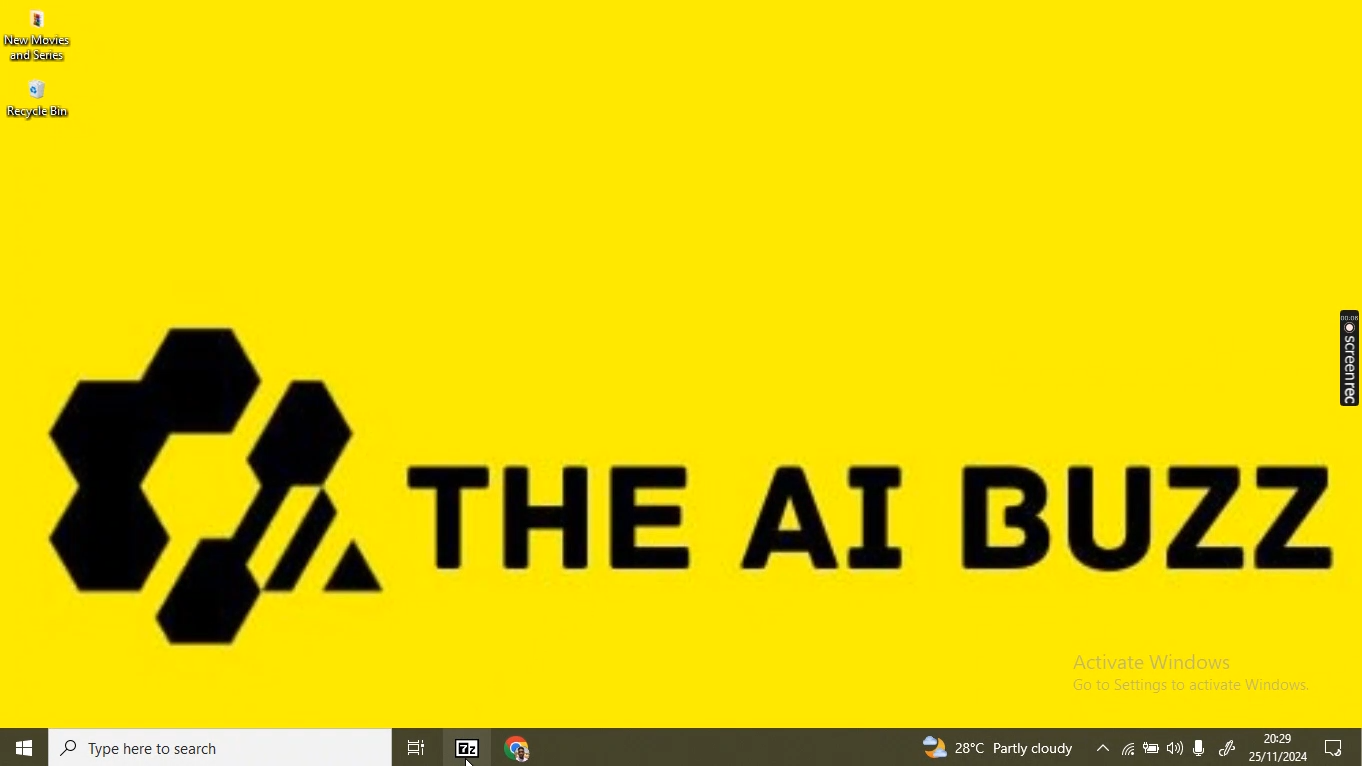 The image size is (1362, 766). What do you see at coordinates (1198, 748) in the screenshot?
I see `sound` at bounding box center [1198, 748].